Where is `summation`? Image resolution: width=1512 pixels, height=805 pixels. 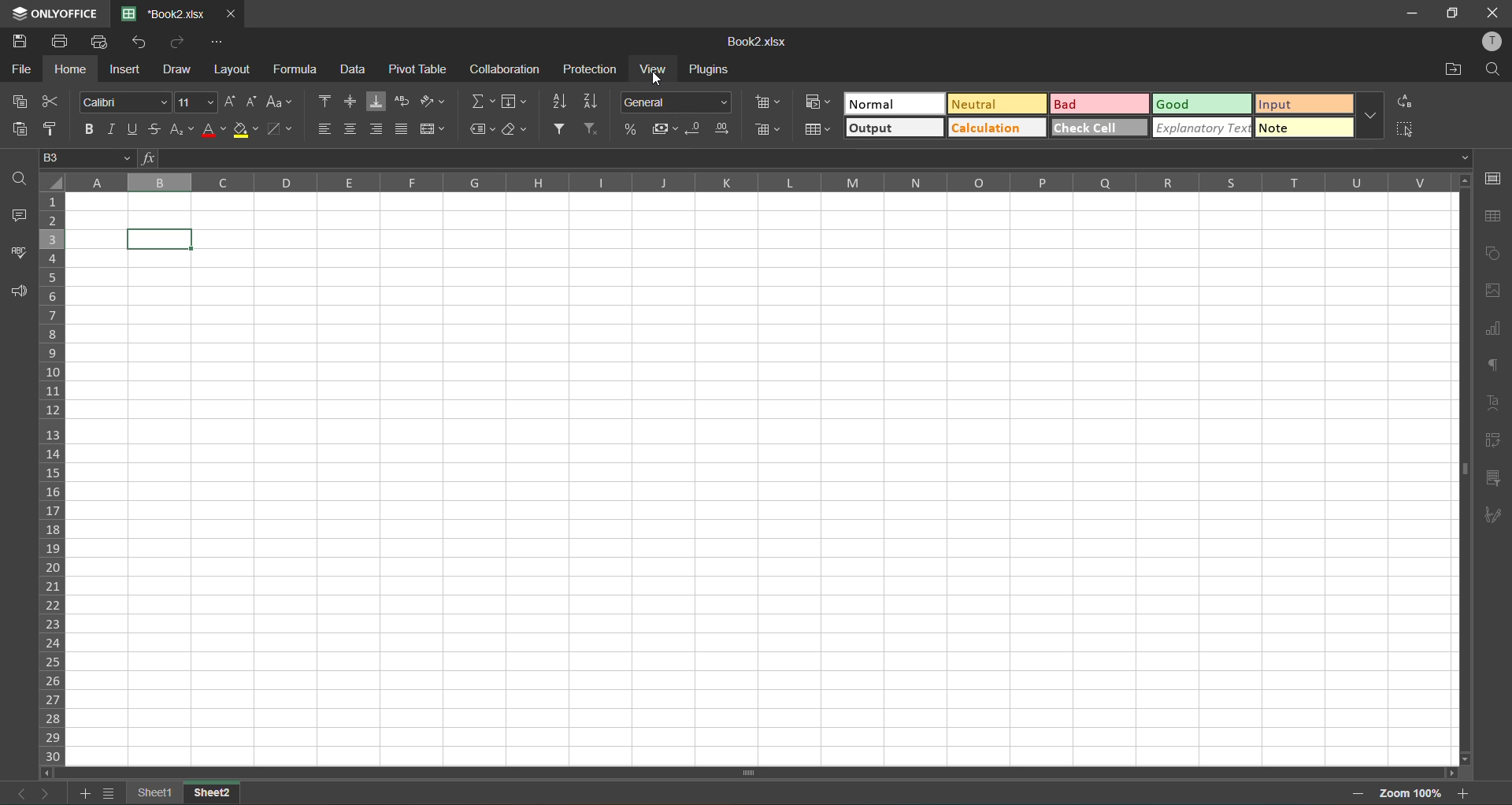
summation is located at coordinates (480, 102).